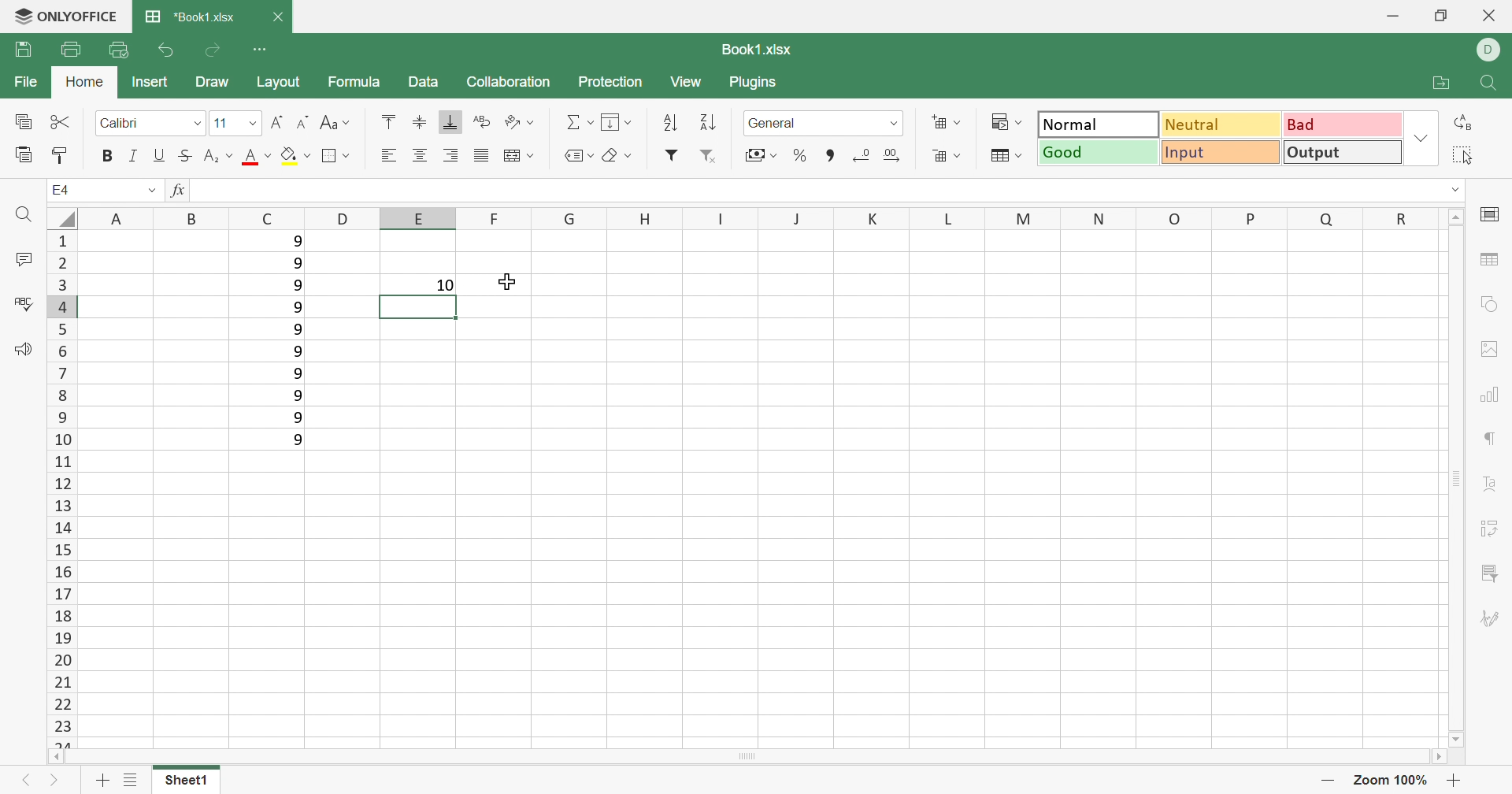 The image size is (1512, 794). Describe the element at coordinates (1218, 153) in the screenshot. I see `Input` at that location.